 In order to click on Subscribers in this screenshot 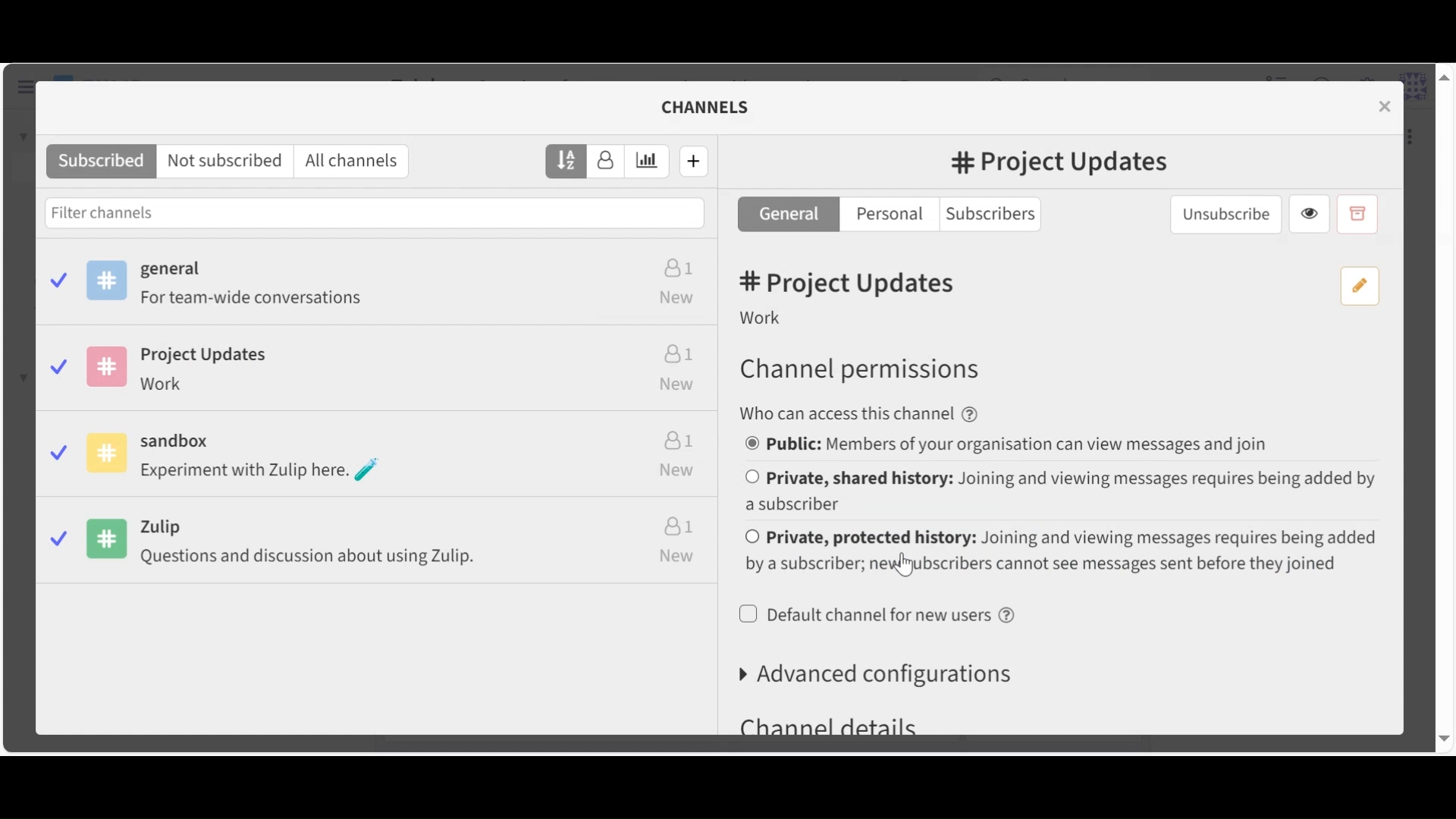, I will do `click(997, 215)`.